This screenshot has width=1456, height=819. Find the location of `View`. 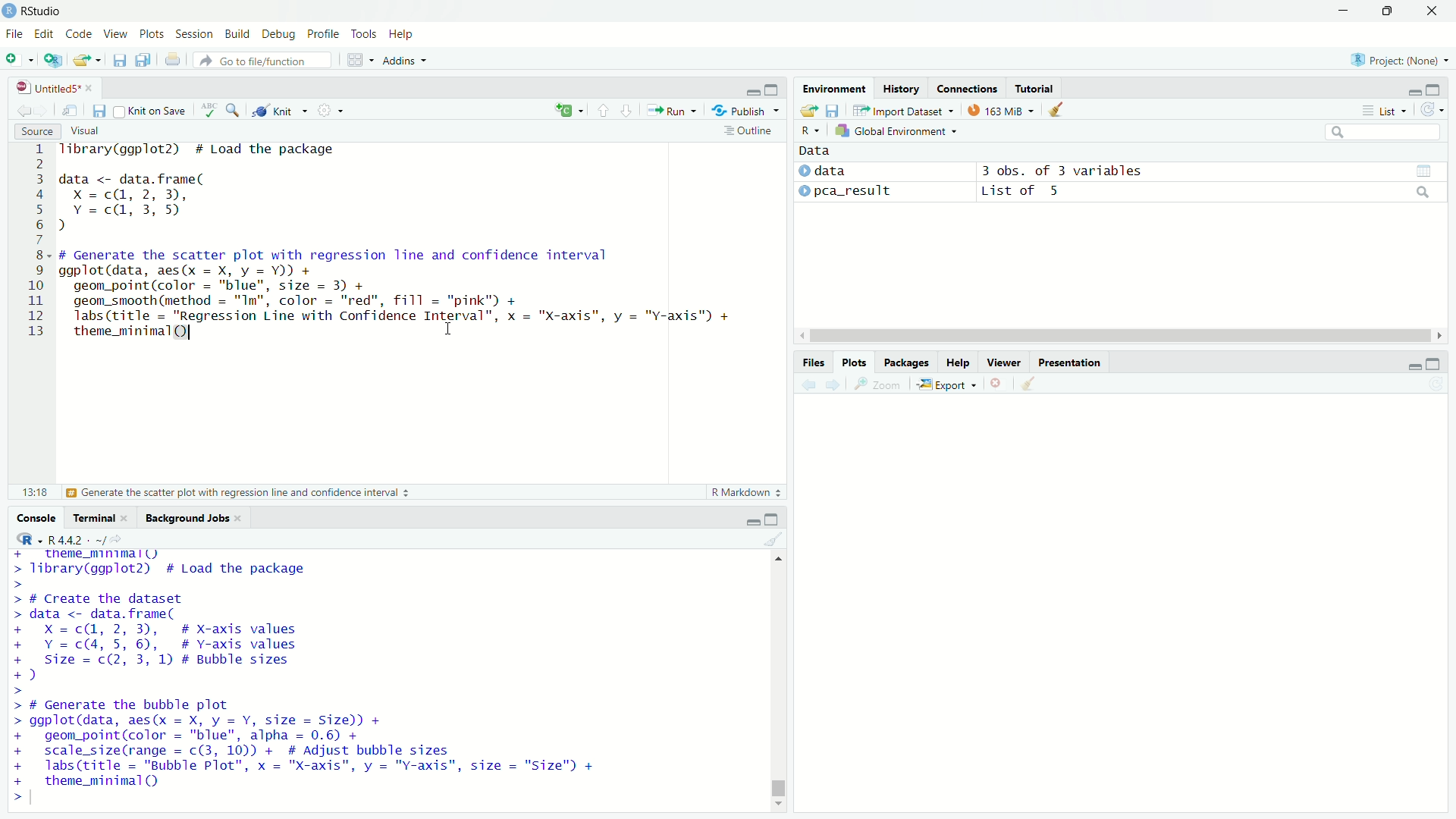

View is located at coordinates (115, 34).